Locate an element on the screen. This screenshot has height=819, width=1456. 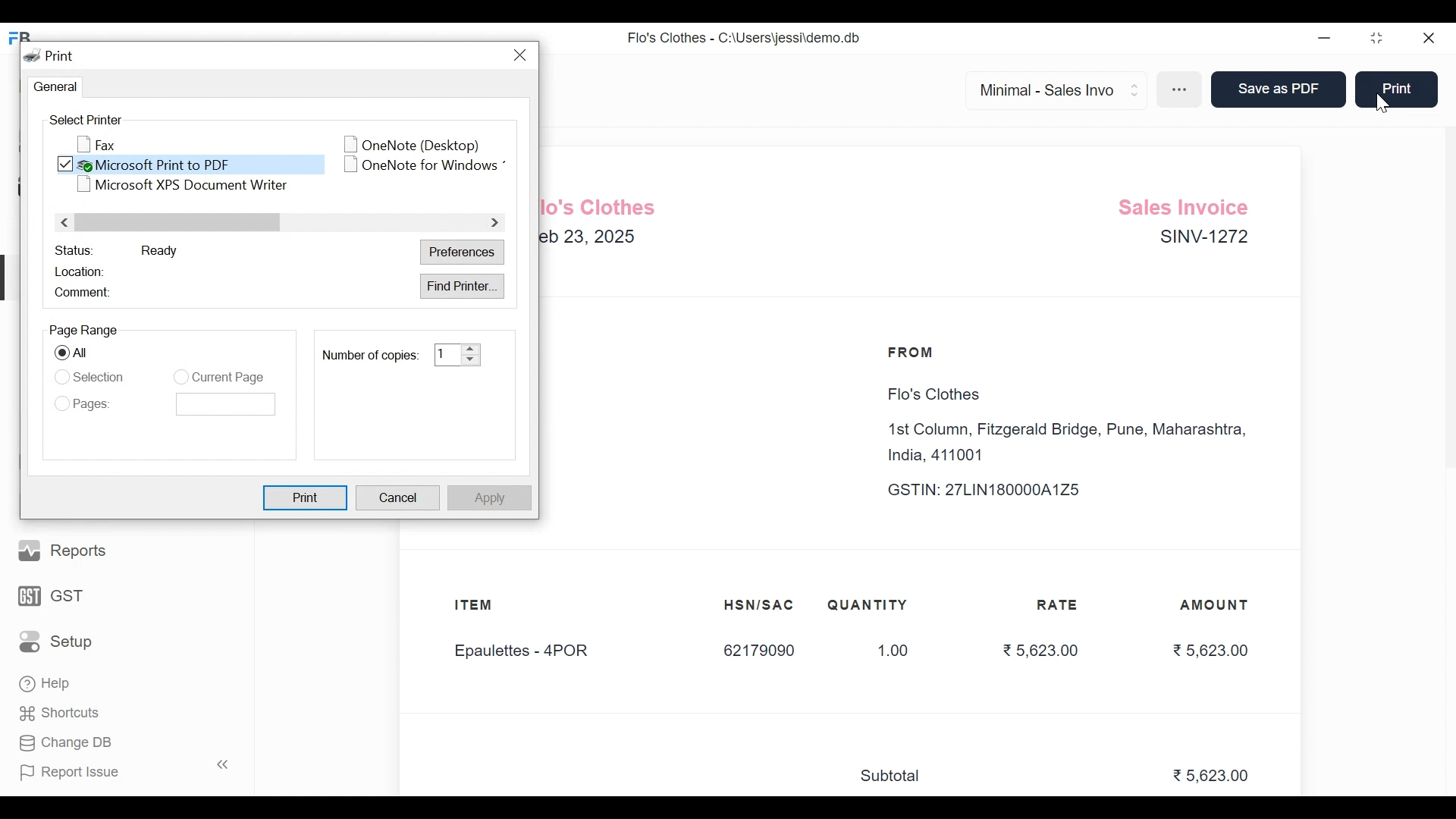
GST is located at coordinates (52, 595).